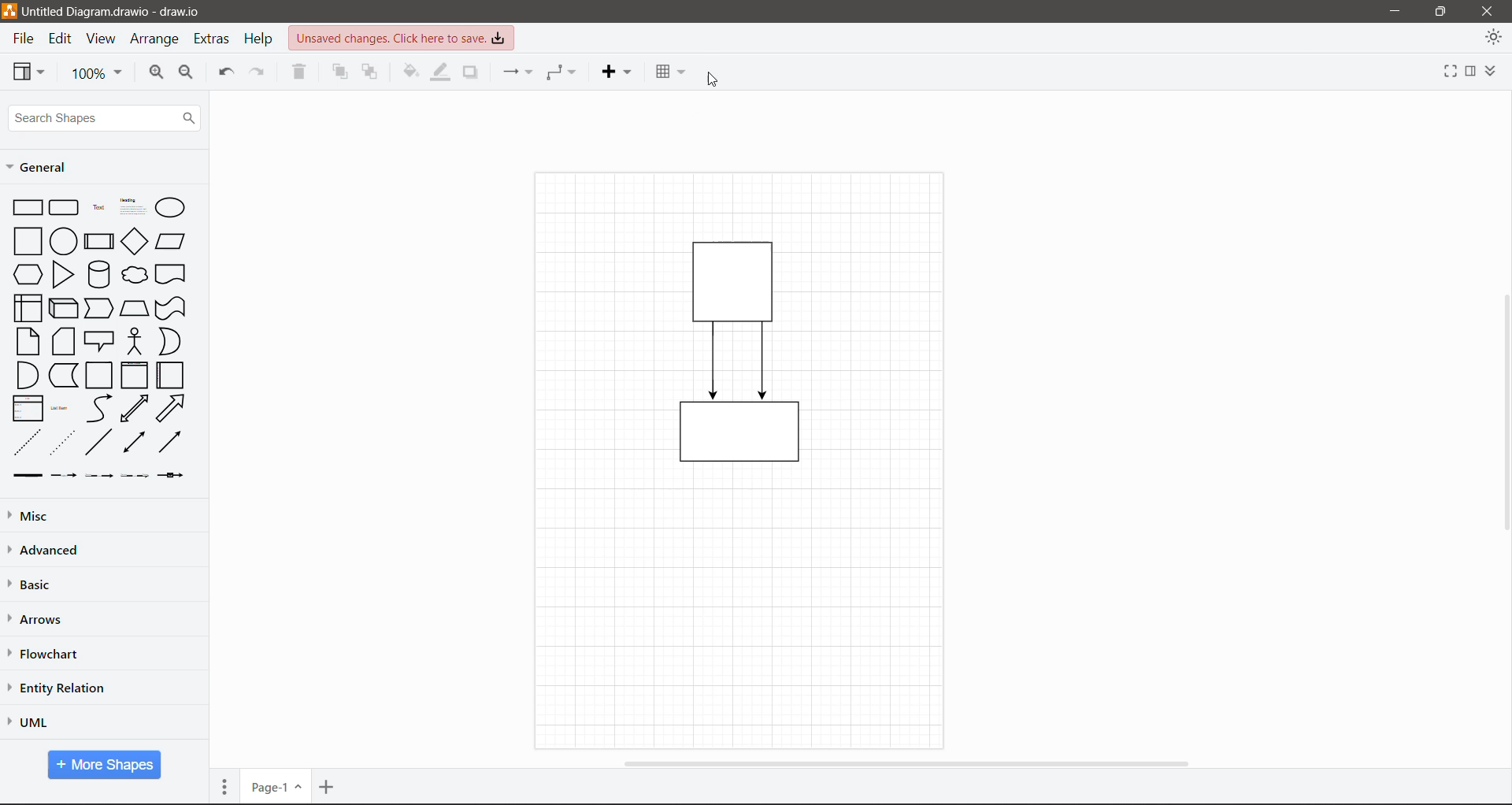  Describe the element at coordinates (99, 442) in the screenshot. I see `line` at that location.